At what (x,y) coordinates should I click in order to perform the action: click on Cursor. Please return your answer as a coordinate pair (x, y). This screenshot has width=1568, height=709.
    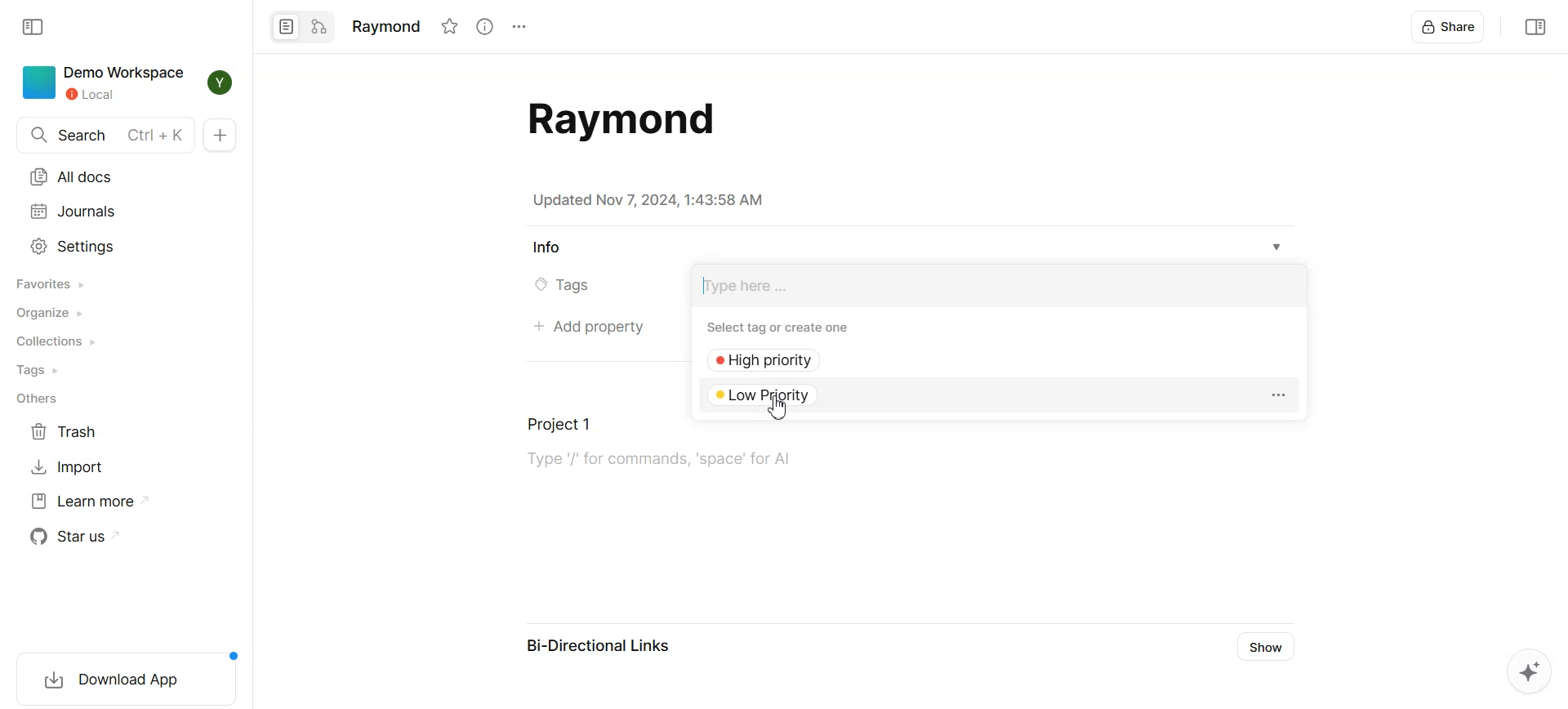
    Looking at the image, I should click on (782, 408).